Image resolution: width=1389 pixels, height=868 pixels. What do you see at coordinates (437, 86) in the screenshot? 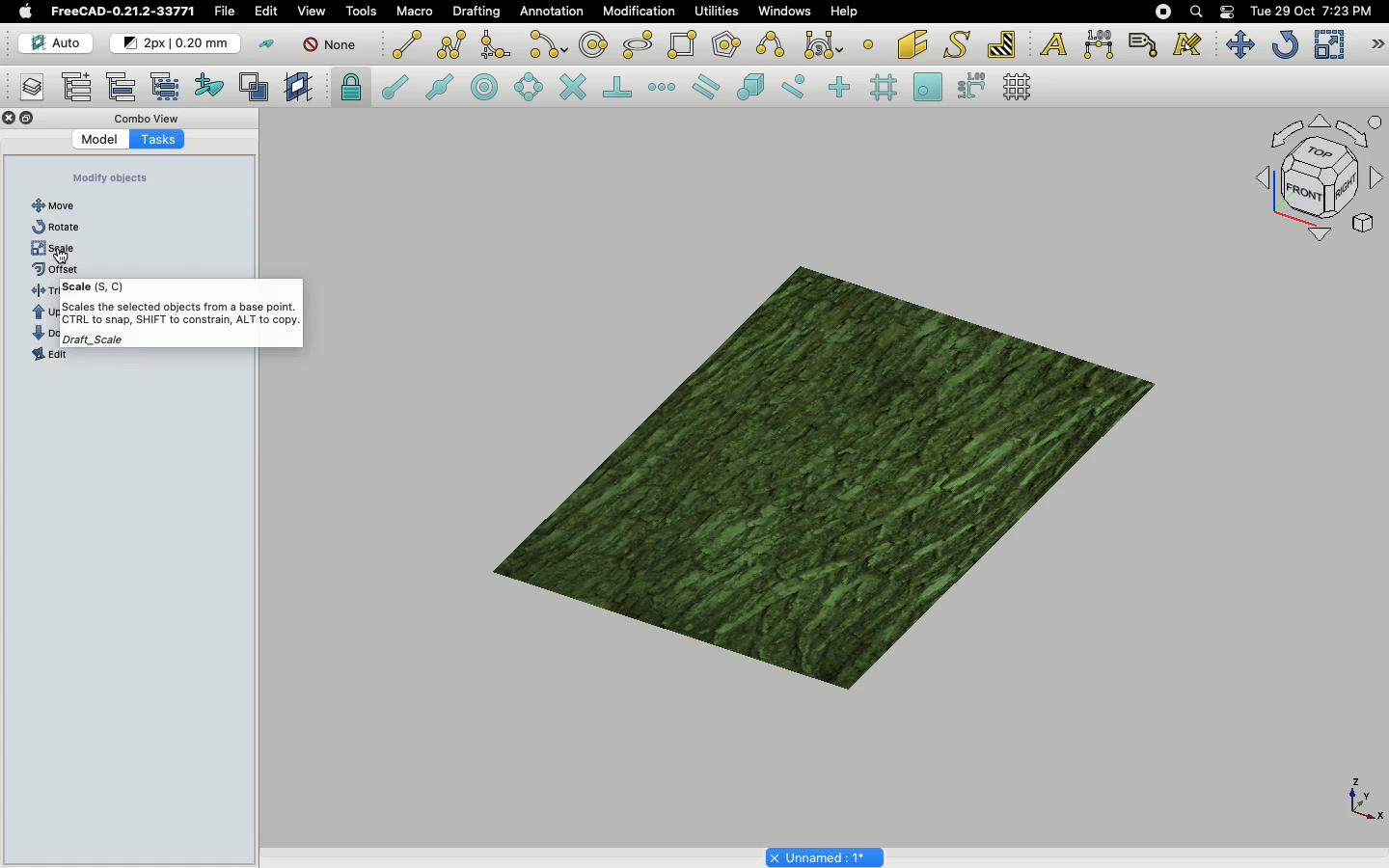
I see `Snap midpoint` at bounding box center [437, 86].